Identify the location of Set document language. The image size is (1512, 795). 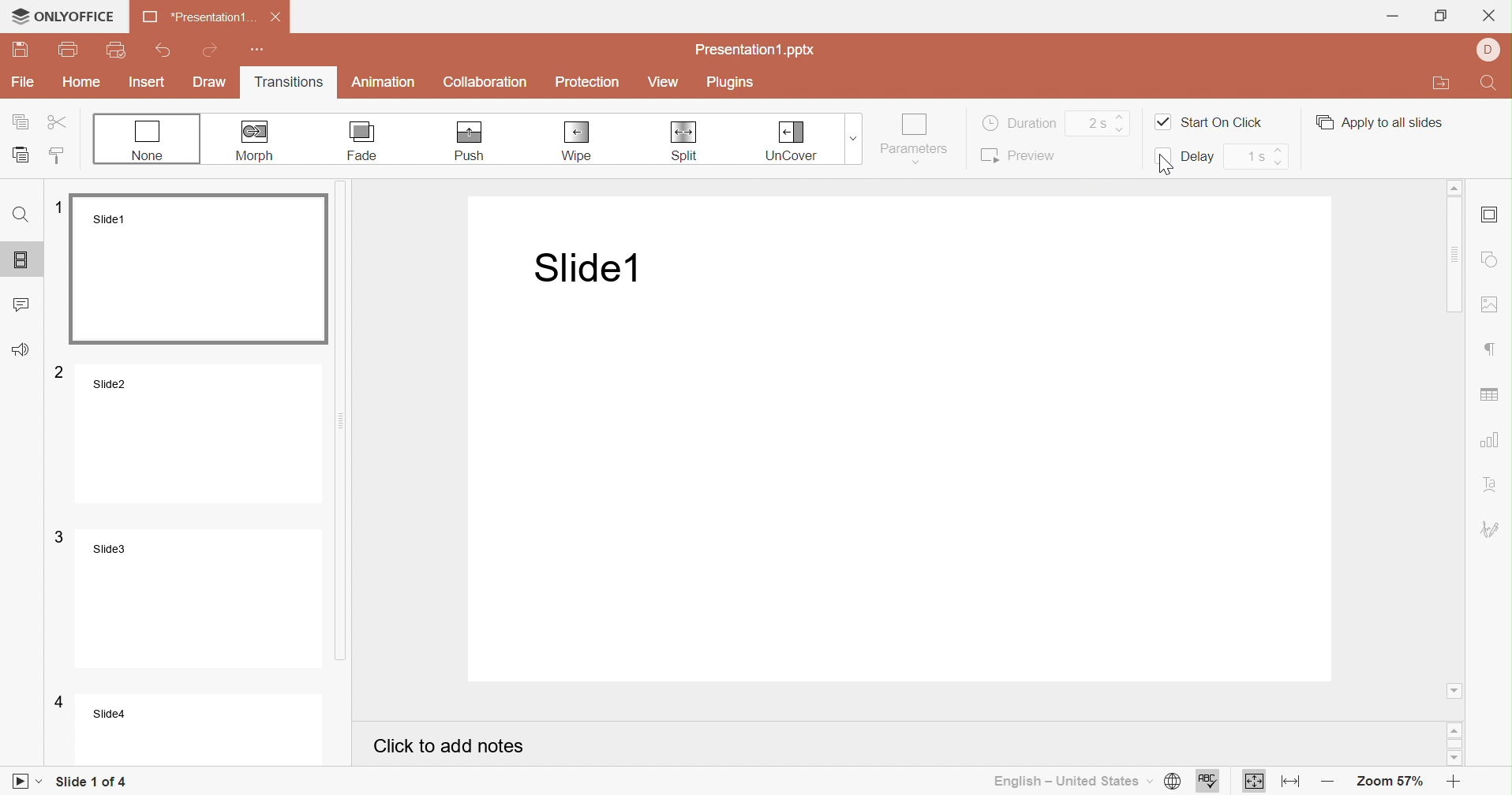
(1171, 782).